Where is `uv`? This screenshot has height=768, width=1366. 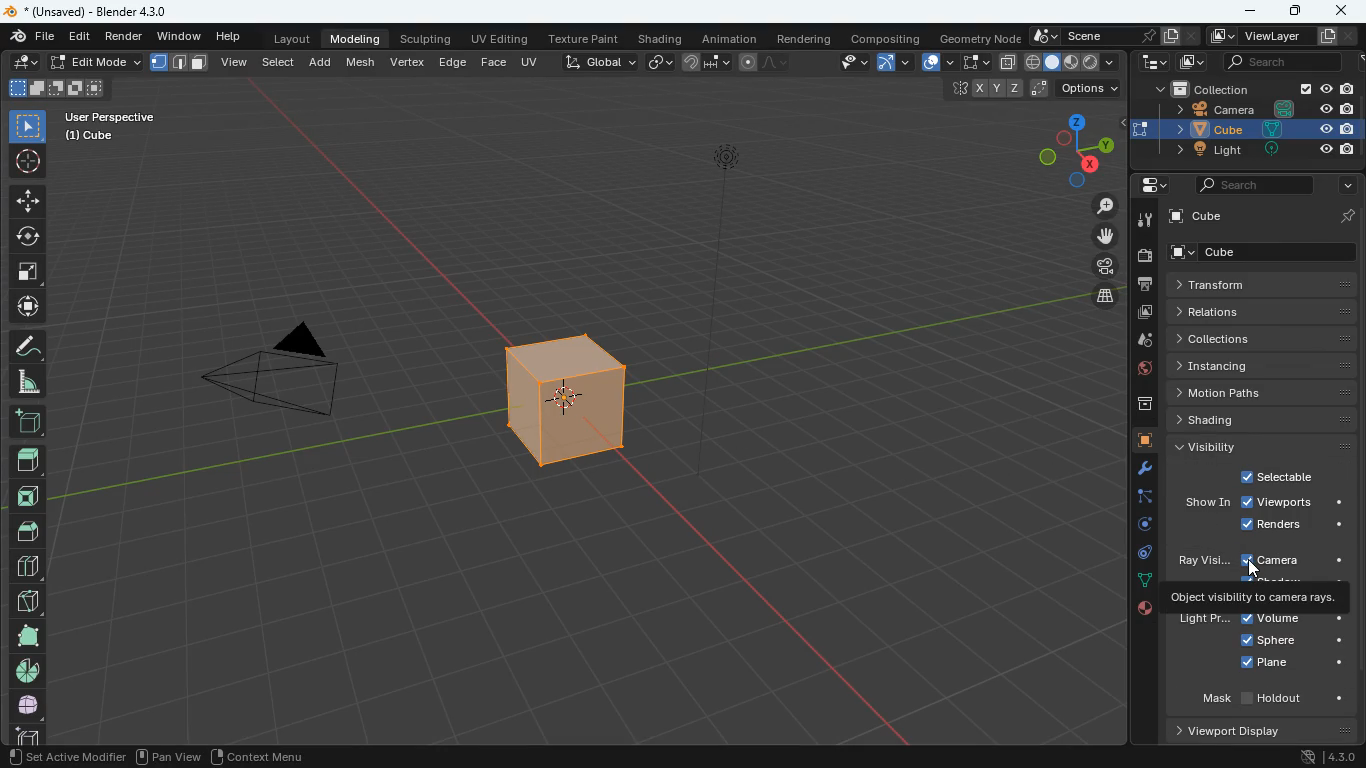 uv is located at coordinates (532, 64).